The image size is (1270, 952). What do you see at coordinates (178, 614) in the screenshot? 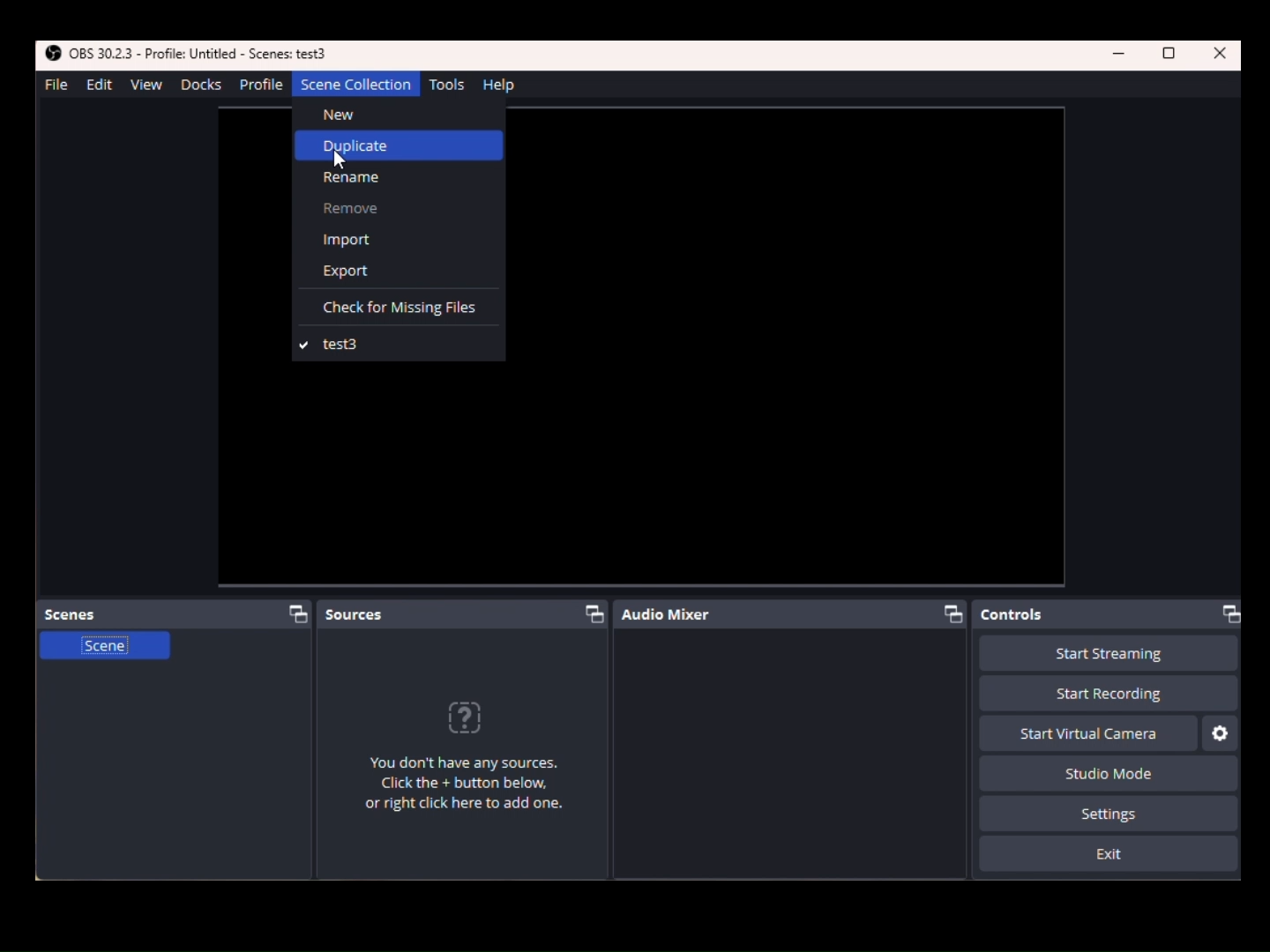
I see `Scenes` at bounding box center [178, 614].